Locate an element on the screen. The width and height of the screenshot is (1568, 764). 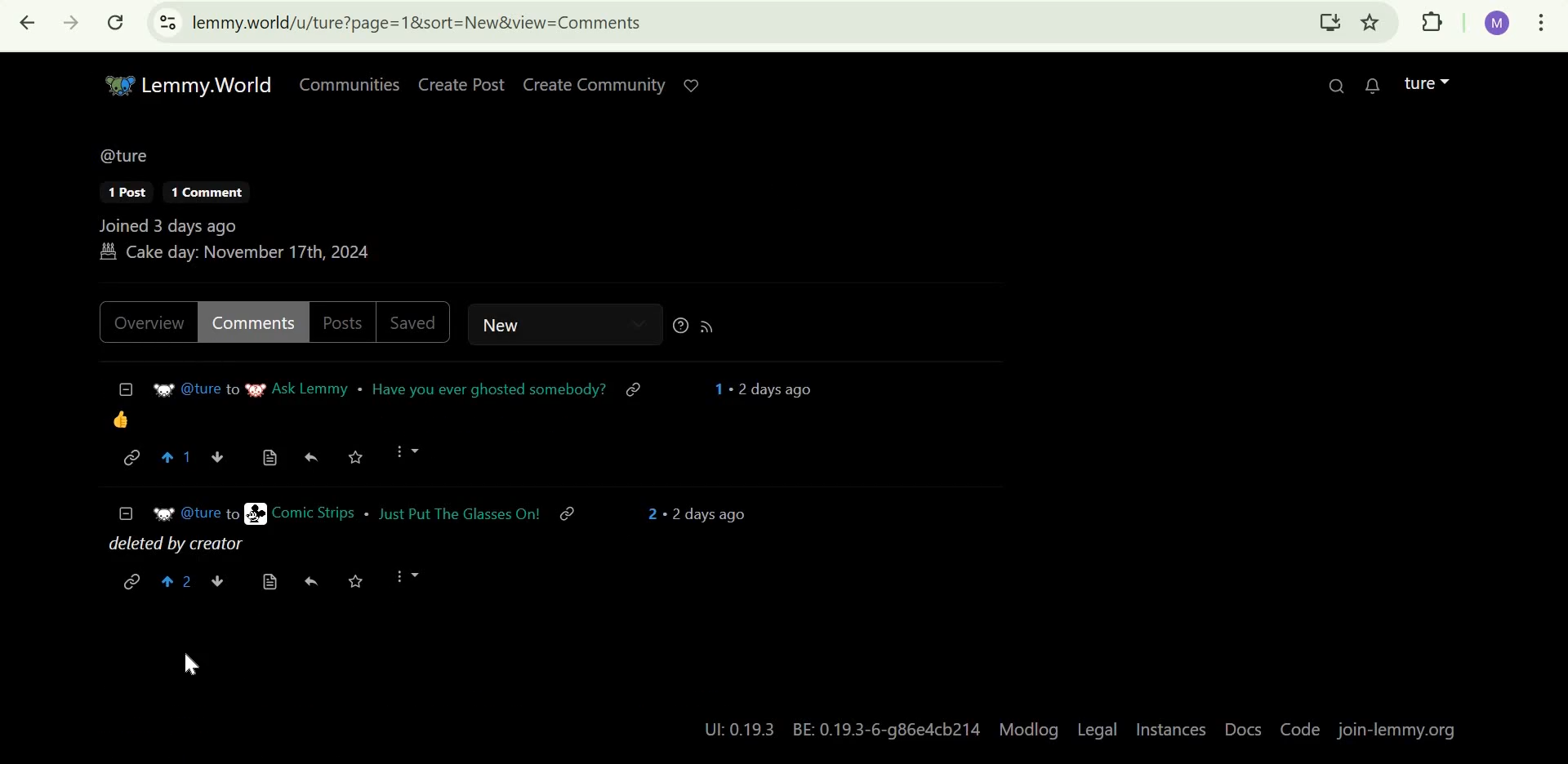
joined 3 days ago is located at coordinates (165, 224).